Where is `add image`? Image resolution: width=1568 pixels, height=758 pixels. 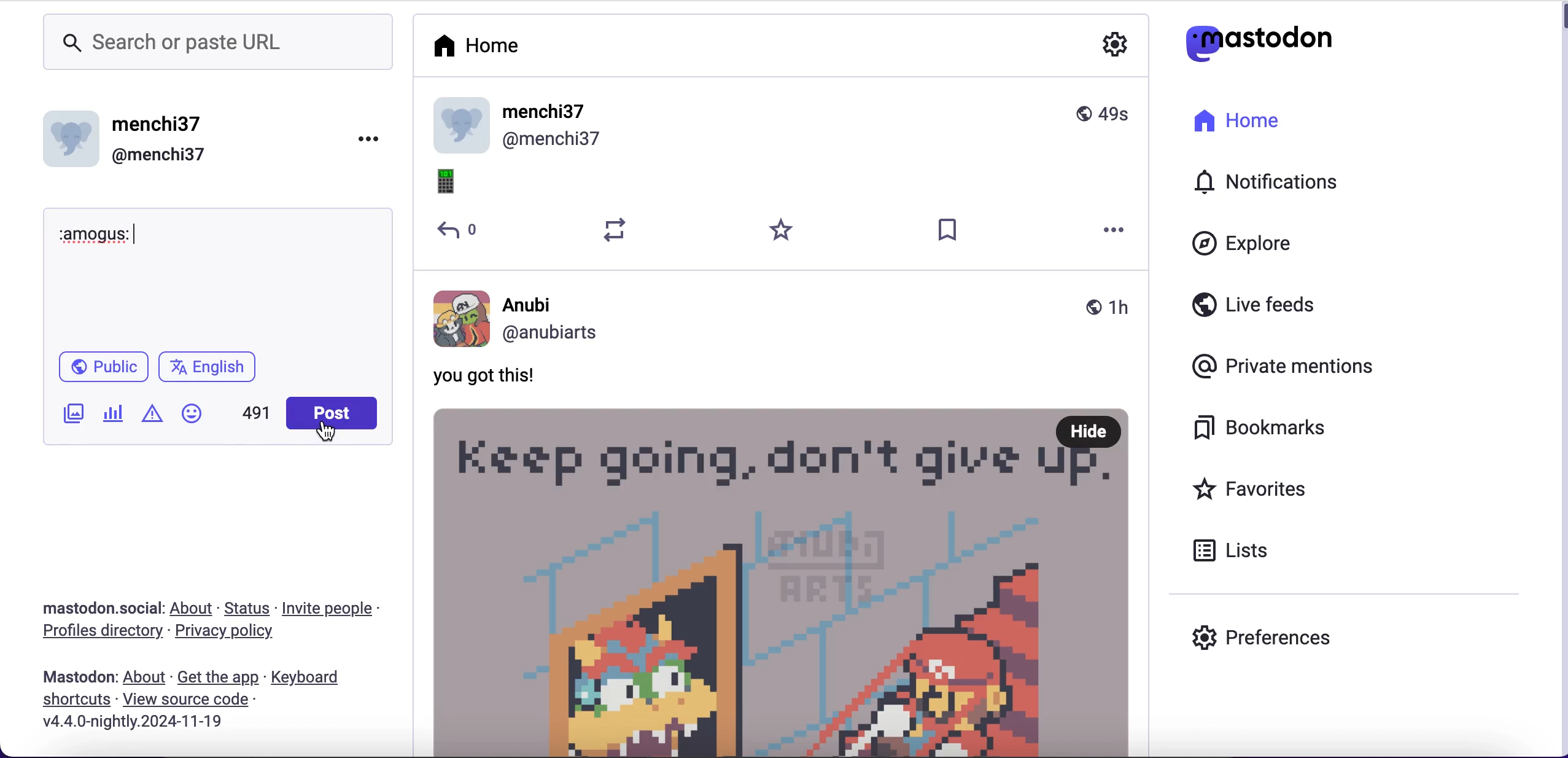 add image is located at coordinates (74, 418).